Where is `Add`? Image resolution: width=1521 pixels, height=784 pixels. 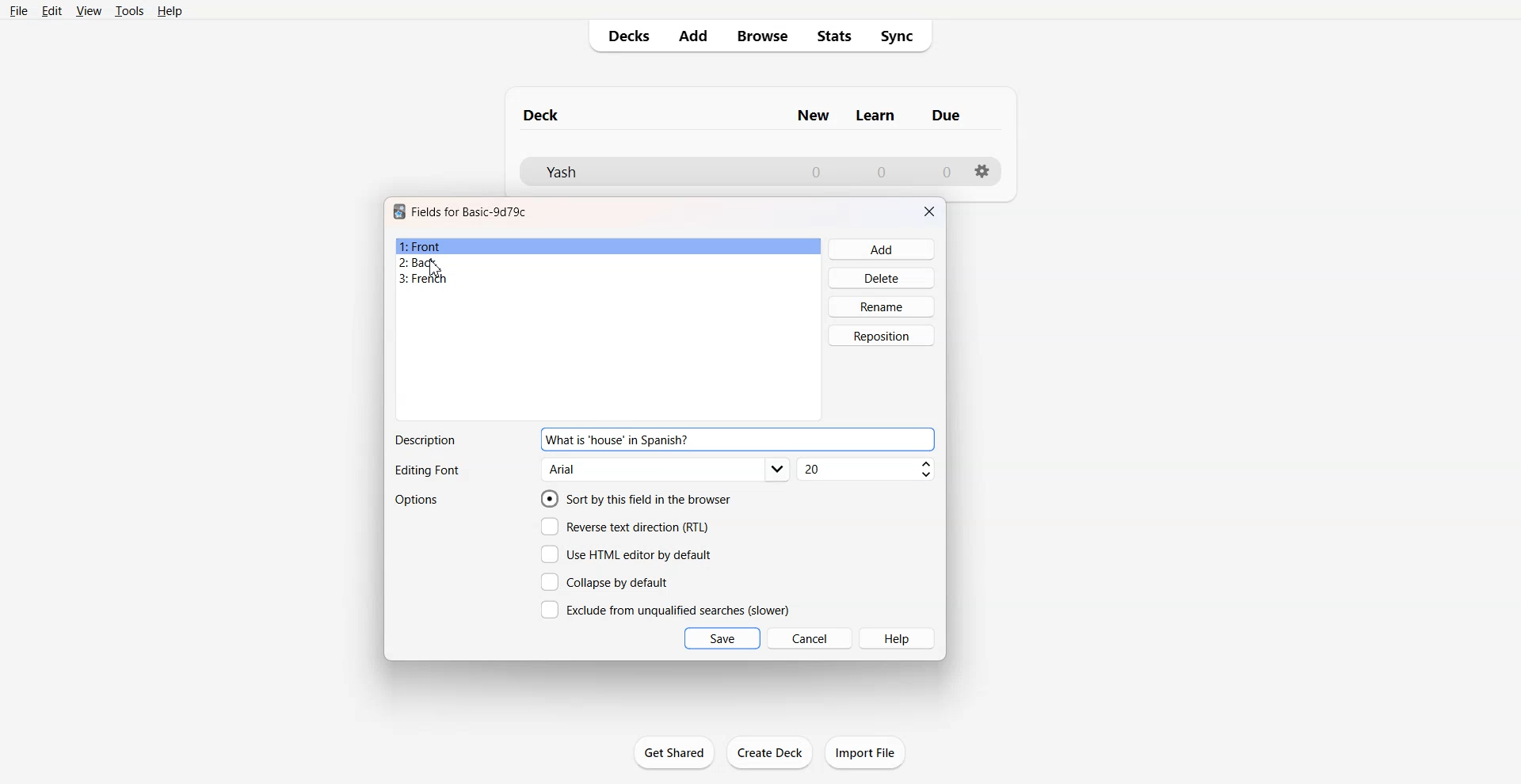 Add is located at coordinates (692, 36).